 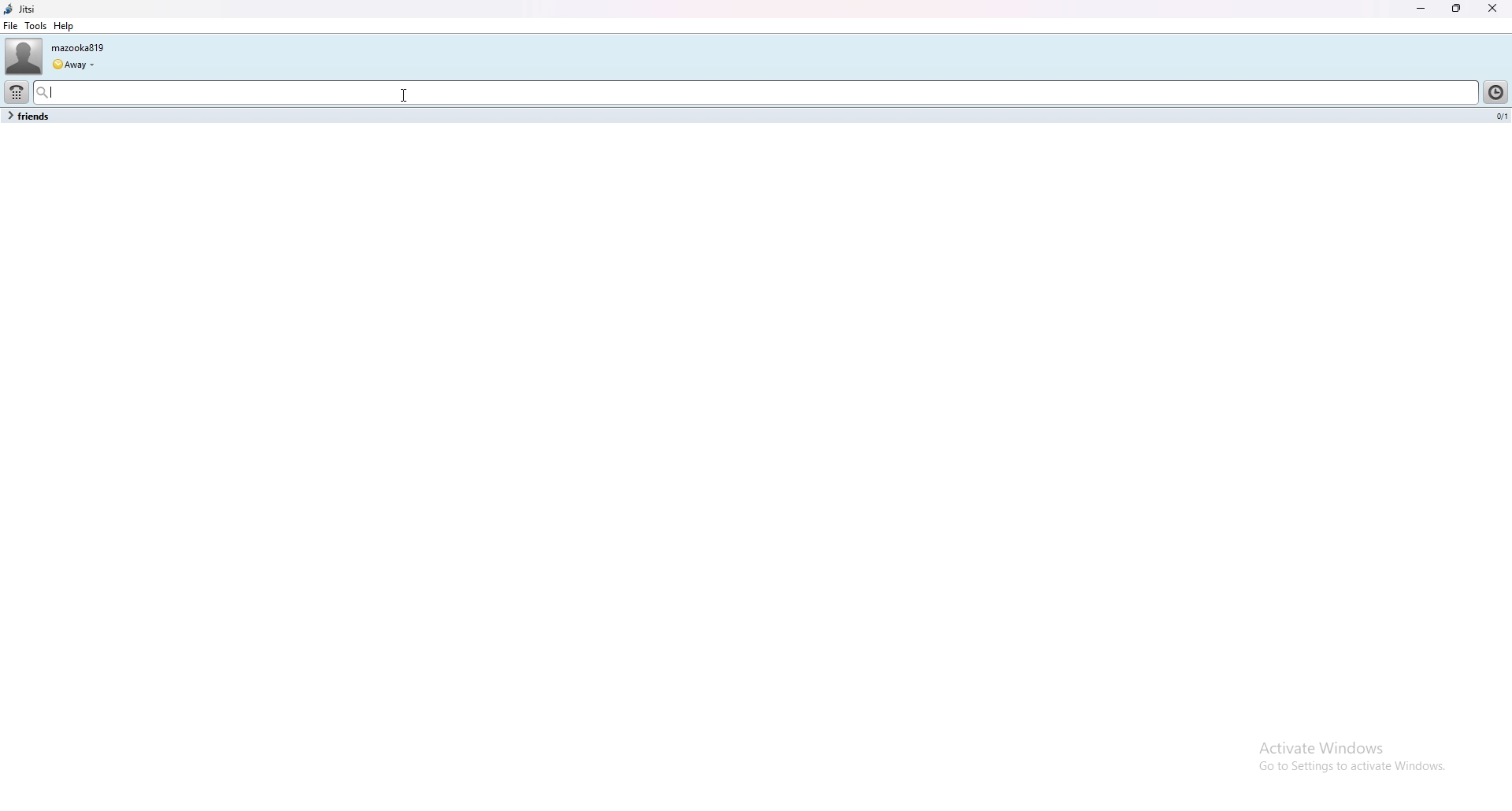 I want to click on file, so click(x=10, y=26).